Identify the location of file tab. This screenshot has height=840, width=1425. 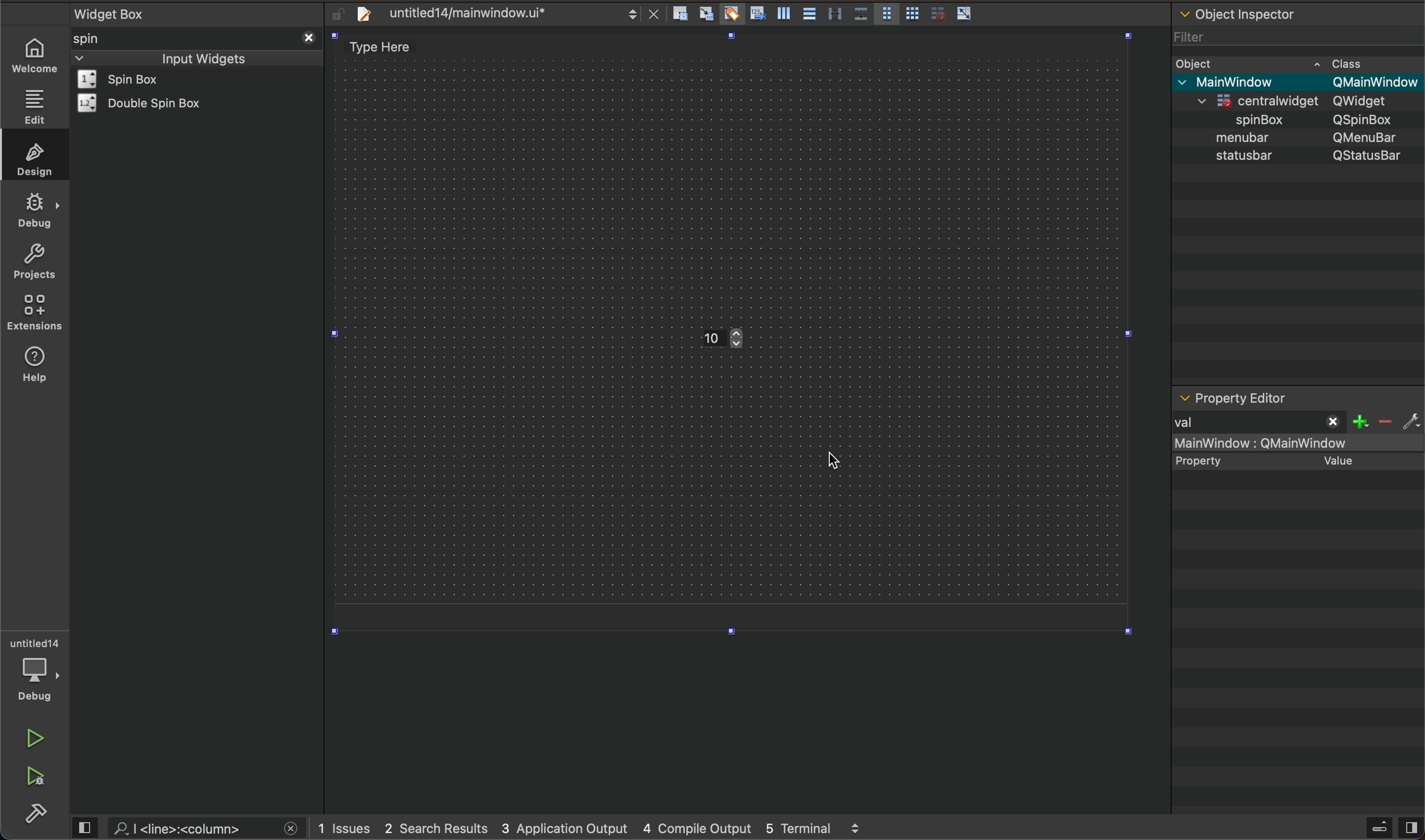
(495, 13).